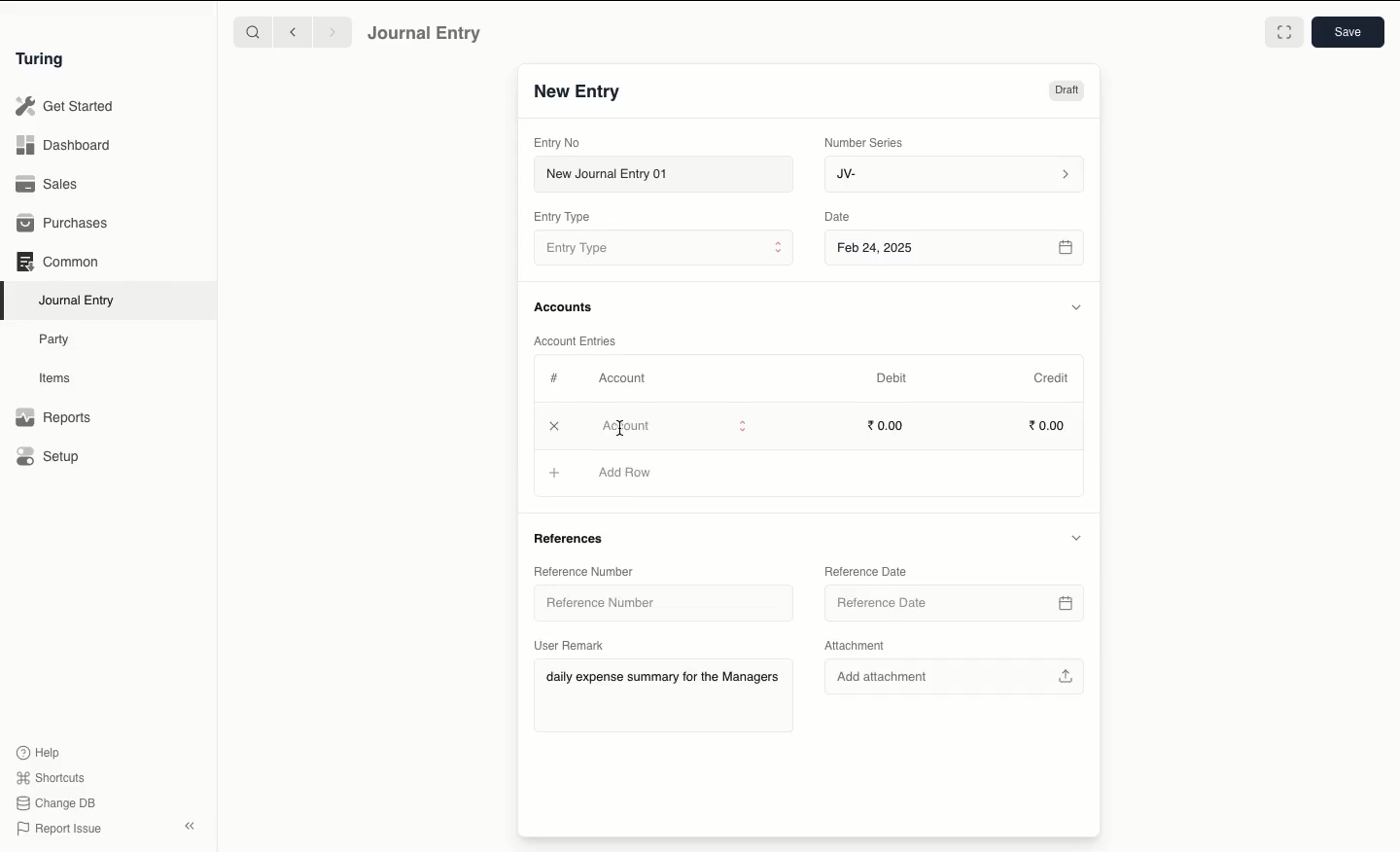 Image resolution: width=1400 pixels, height=852 pixels. Describe the element at coordinates (1048, 423) in the screenshot. I see `0.00` at that location.